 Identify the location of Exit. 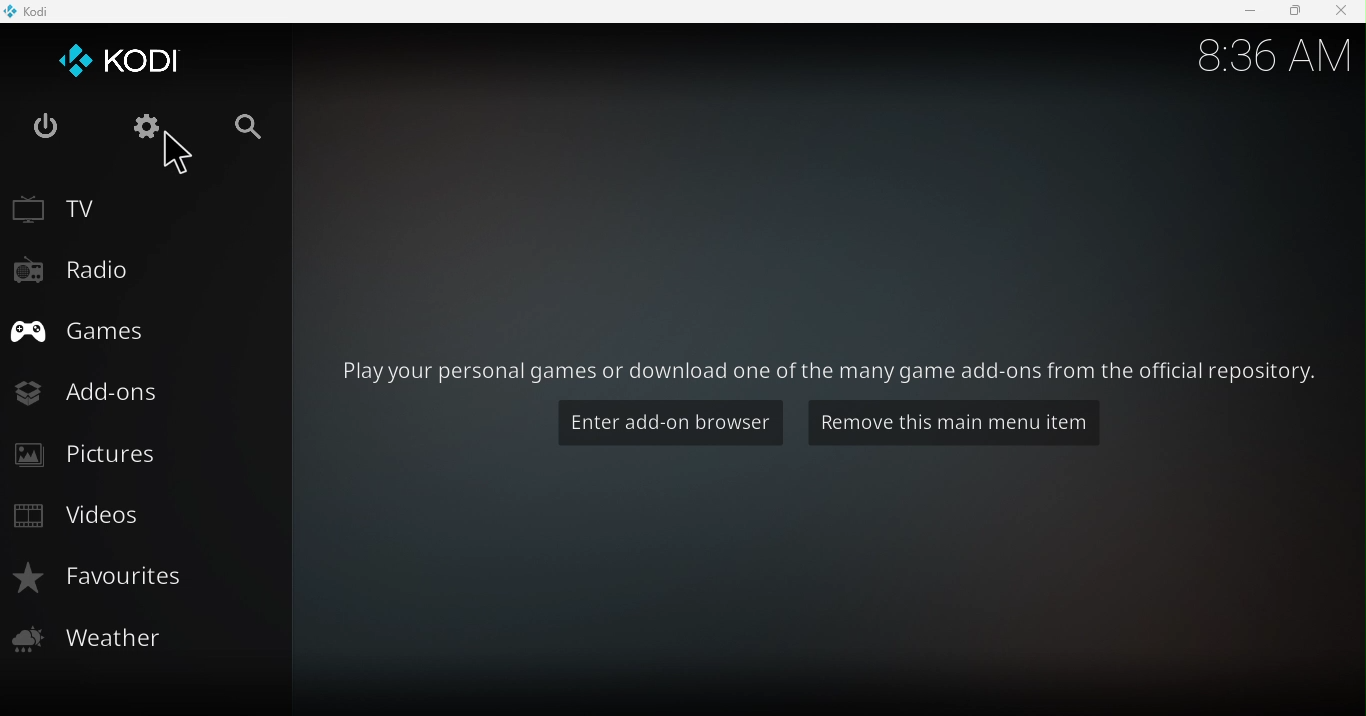
(46, 127).